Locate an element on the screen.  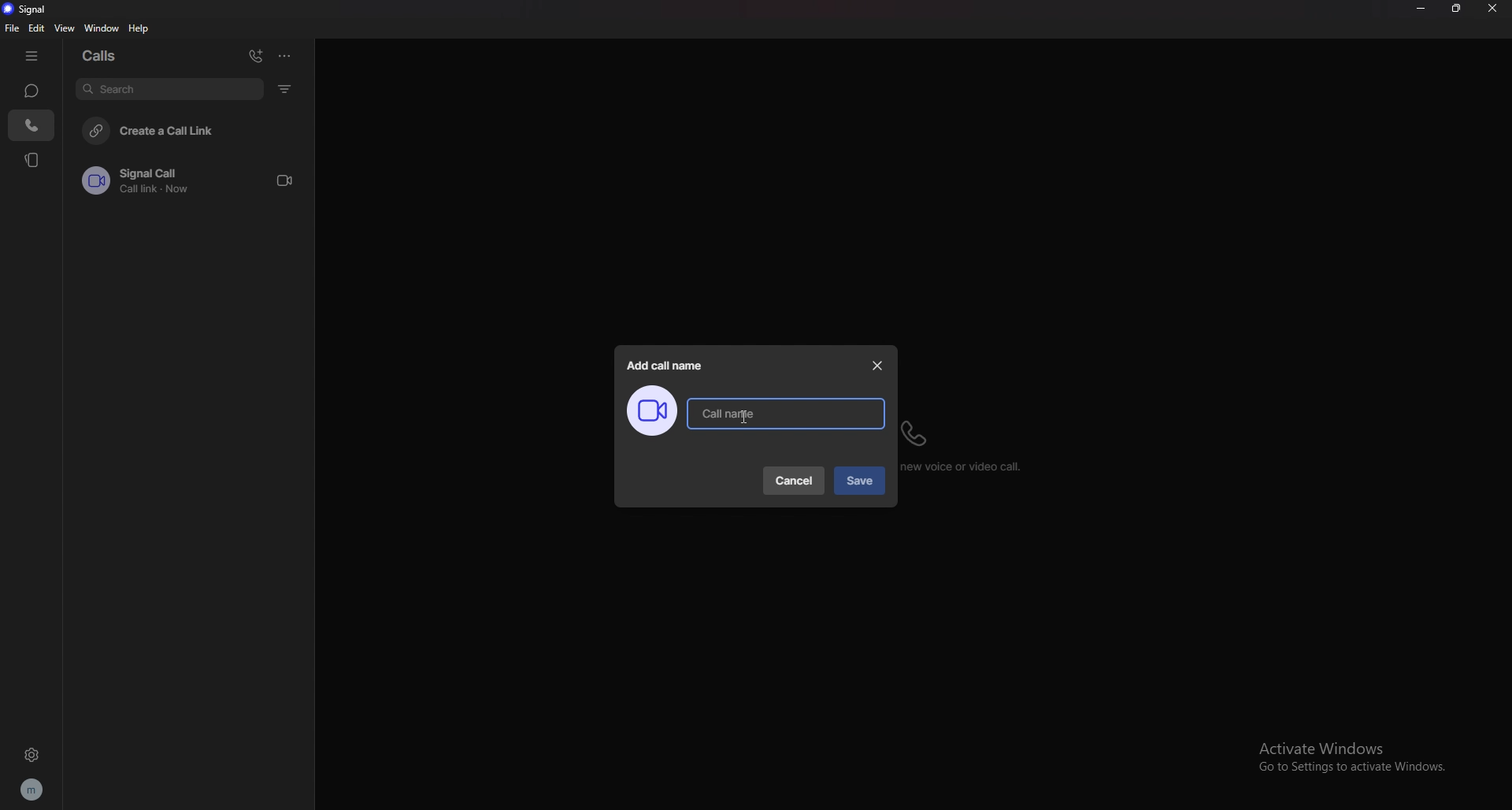
window is located at coordinates (105, 28).